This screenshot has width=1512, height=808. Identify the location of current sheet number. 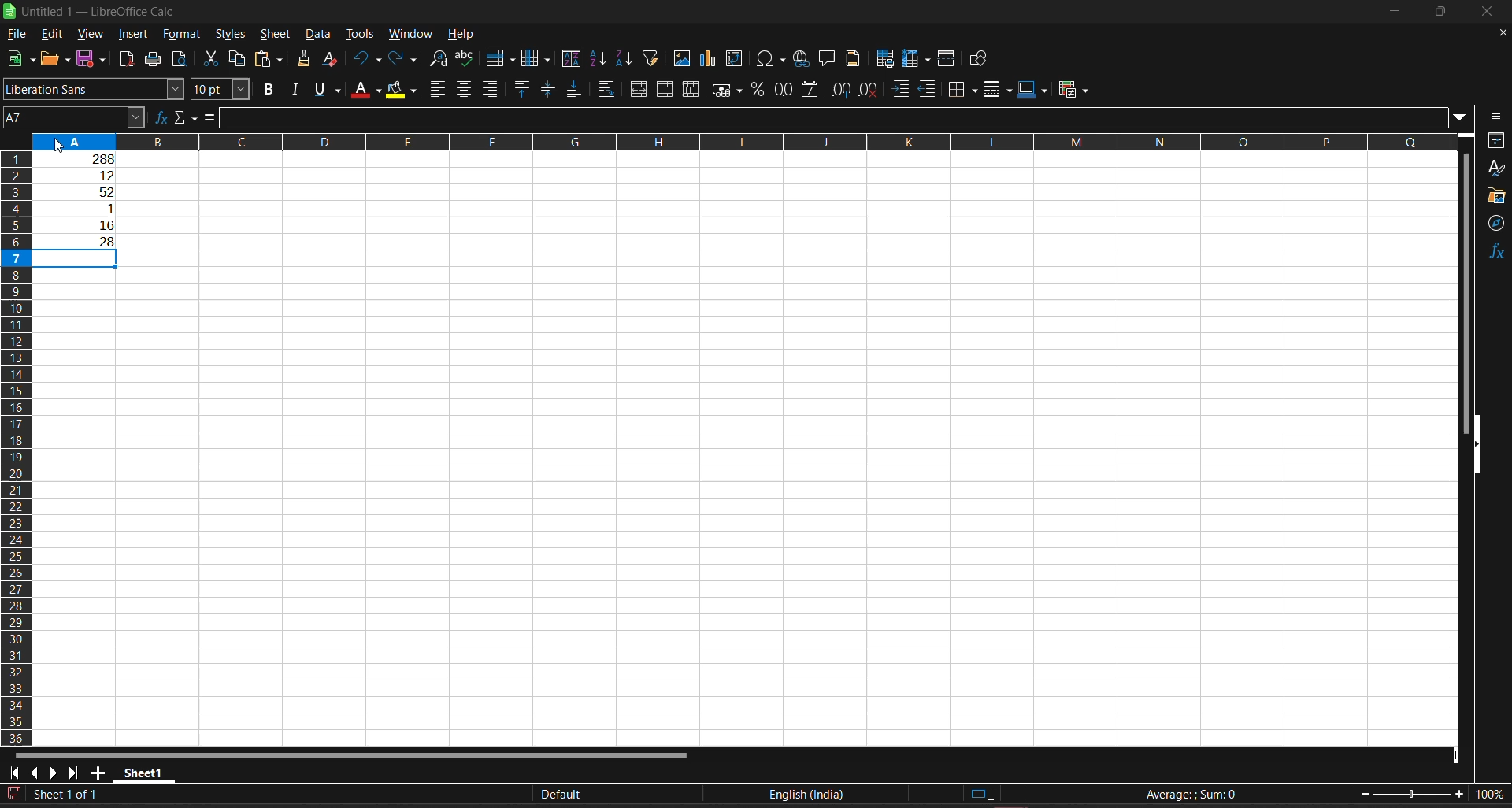
(69, 795).